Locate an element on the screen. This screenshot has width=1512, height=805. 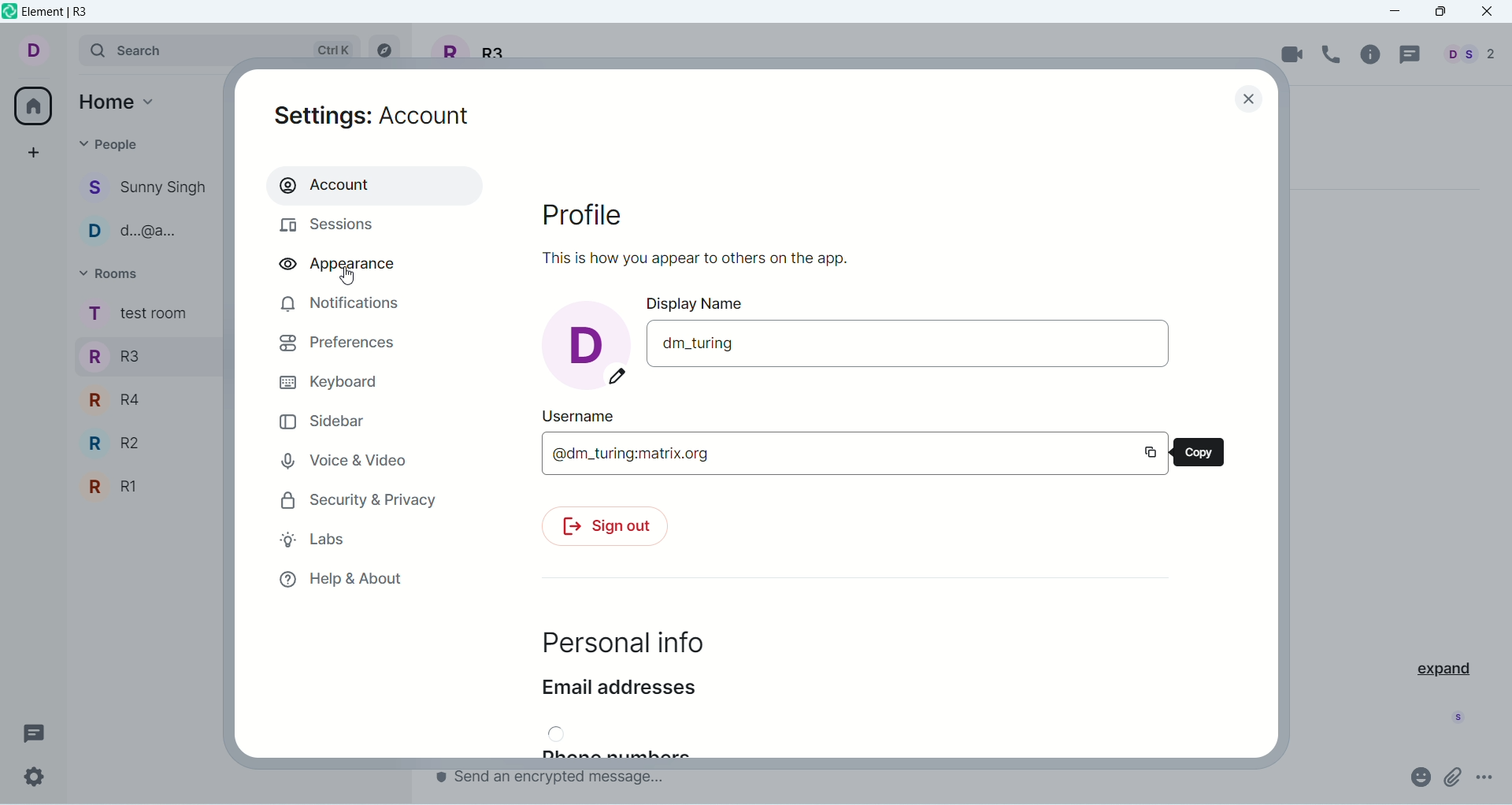
people is located at coordinates (112, 143).